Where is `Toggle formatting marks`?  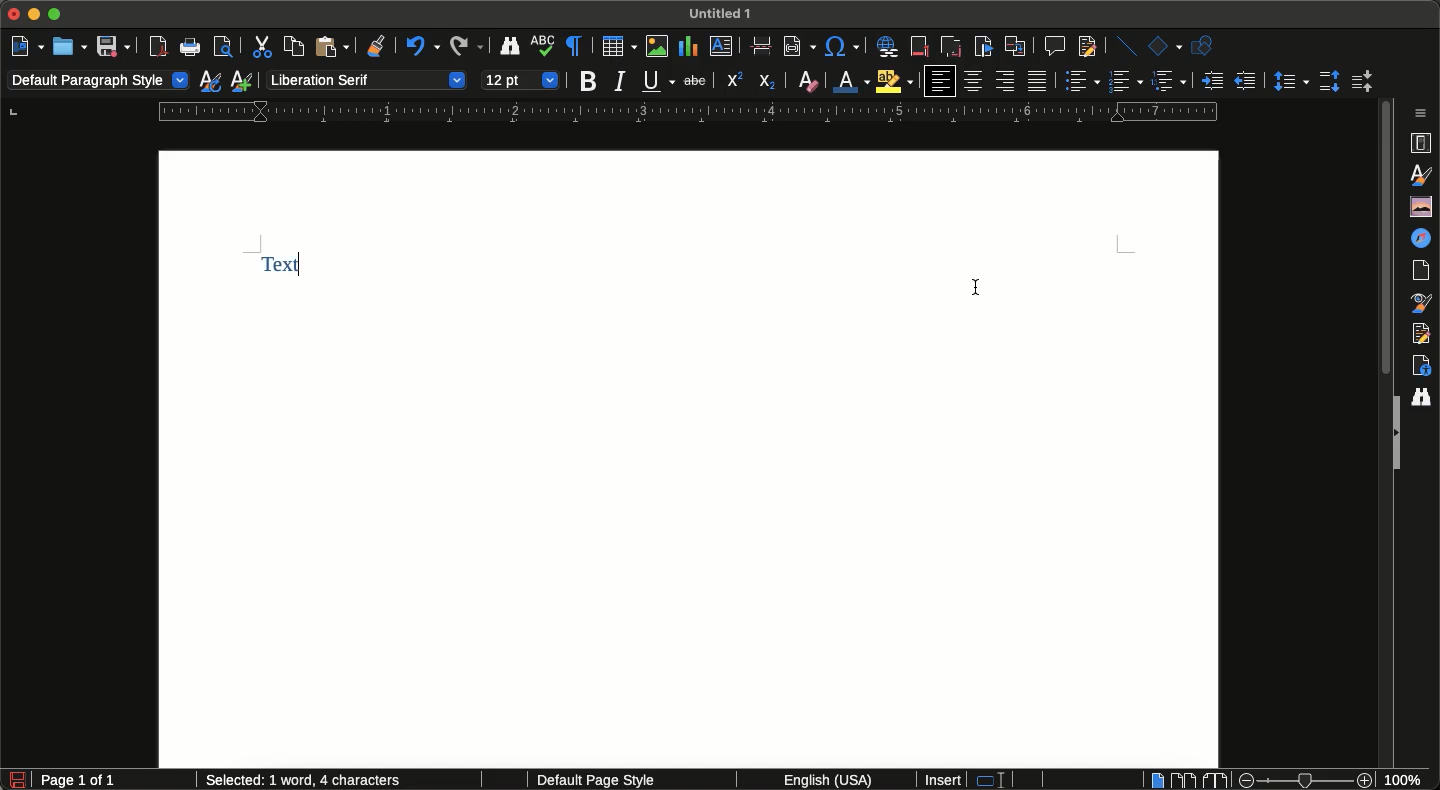
Toggle formatting marks is located at coordinates (576, 46).